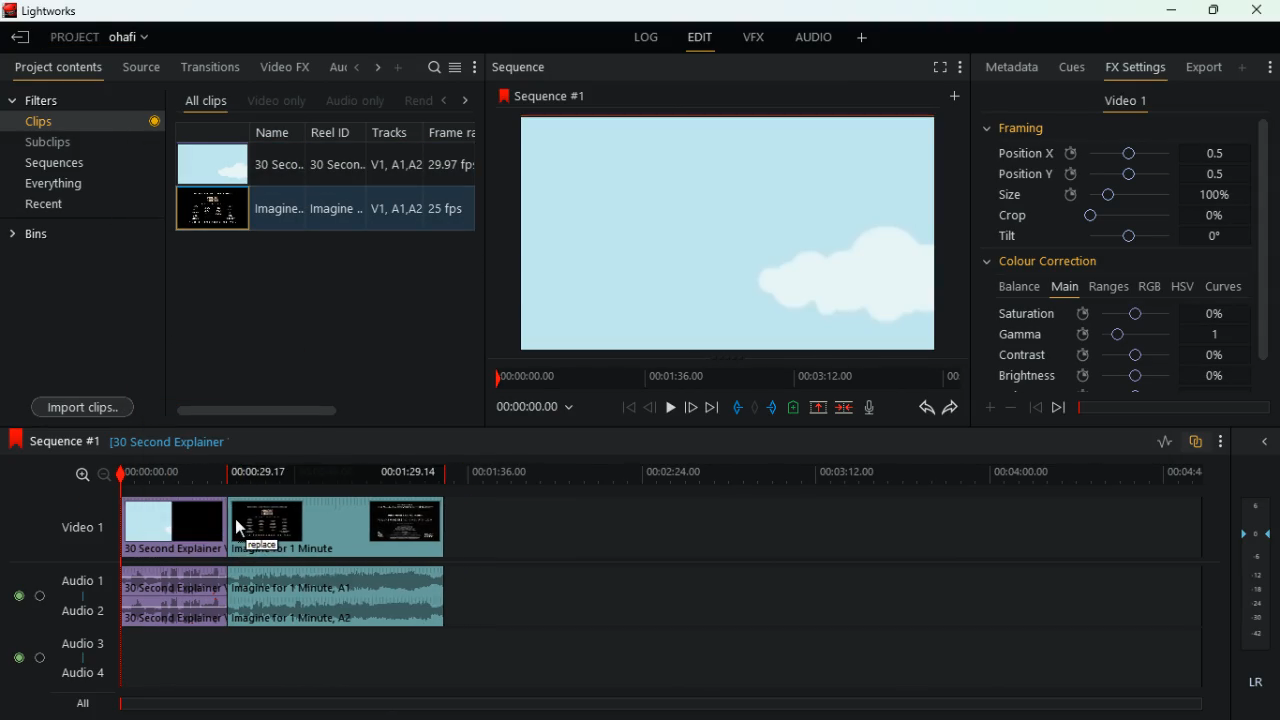 The height and width of the screenshot is (720, 1280). Describe the element at coordinates (1115, 194) in the screenshot. I see `size` at that location.